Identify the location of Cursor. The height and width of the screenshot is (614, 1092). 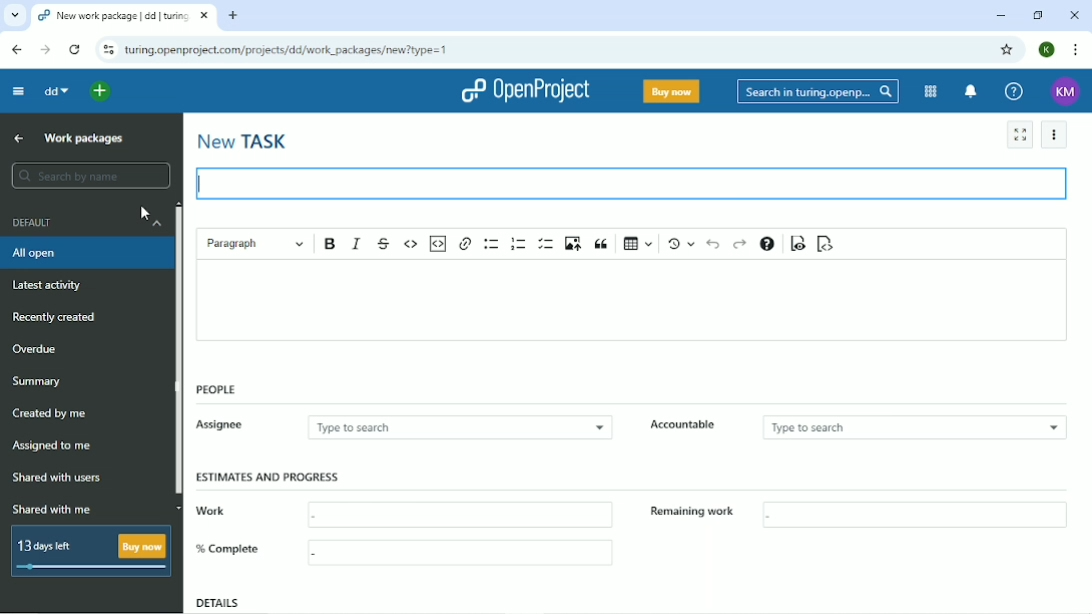
(145, 213).